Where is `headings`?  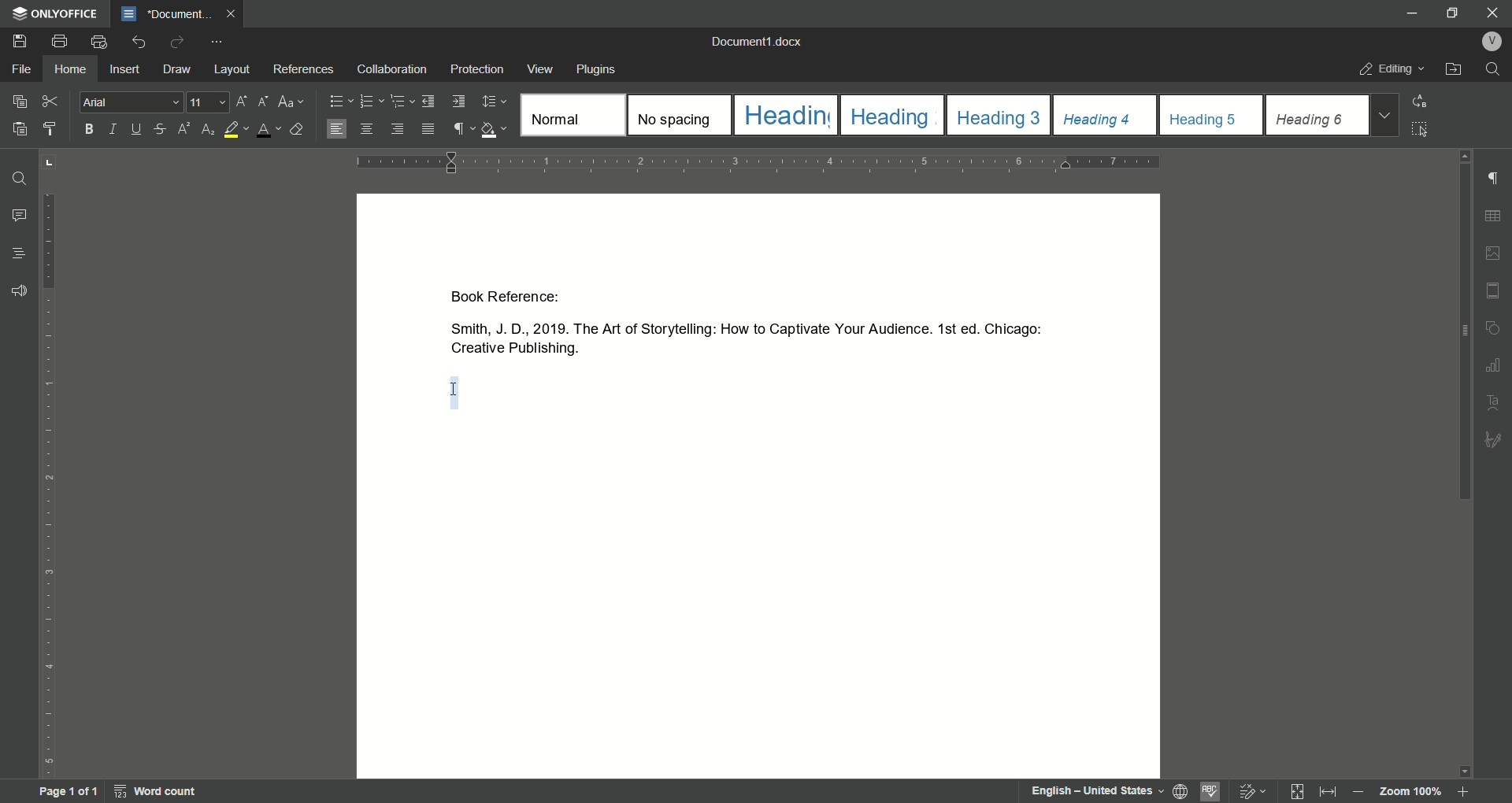 headings is located at coordinates (891, 114).